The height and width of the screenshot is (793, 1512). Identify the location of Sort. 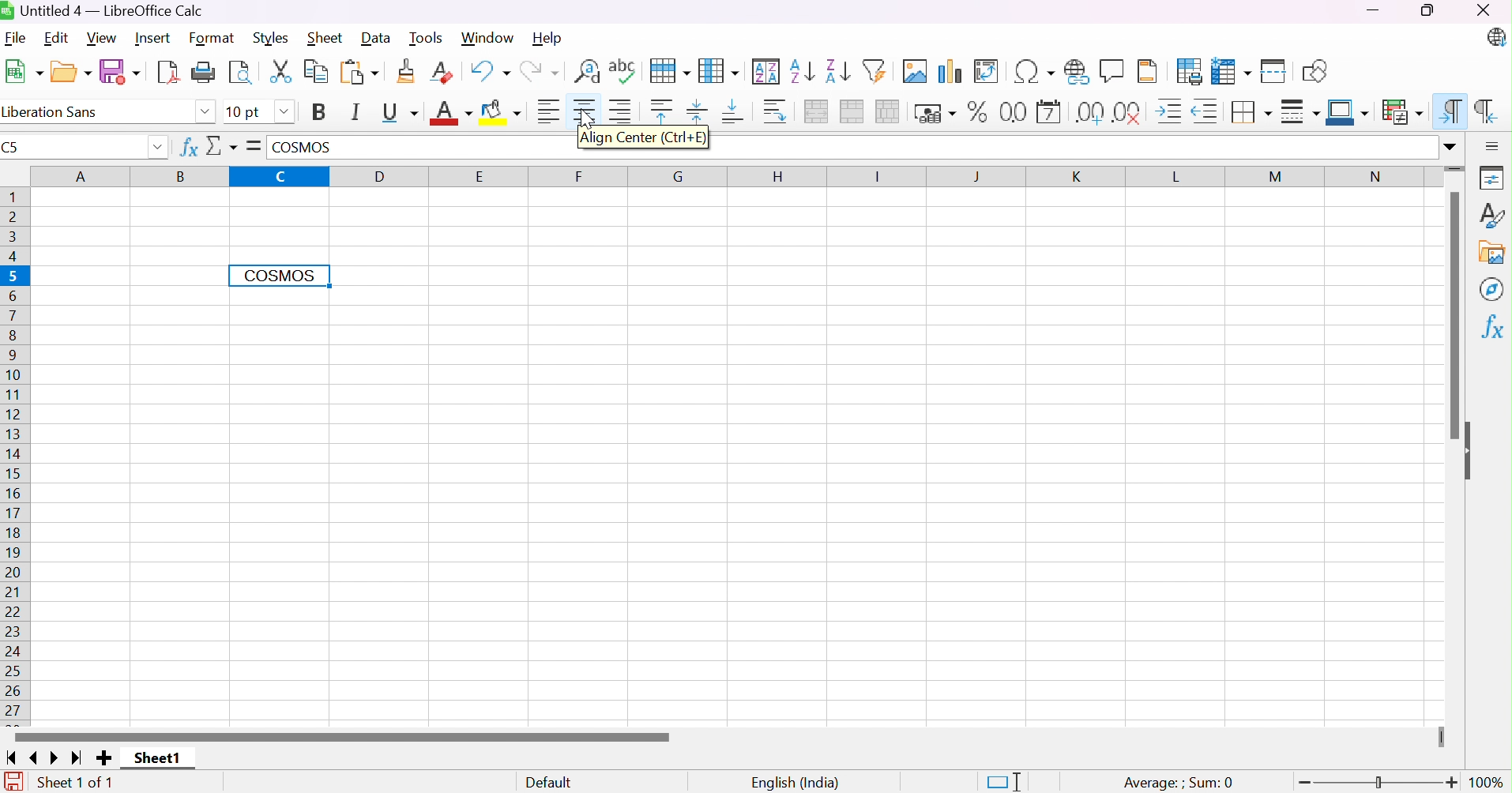
(766, 70).